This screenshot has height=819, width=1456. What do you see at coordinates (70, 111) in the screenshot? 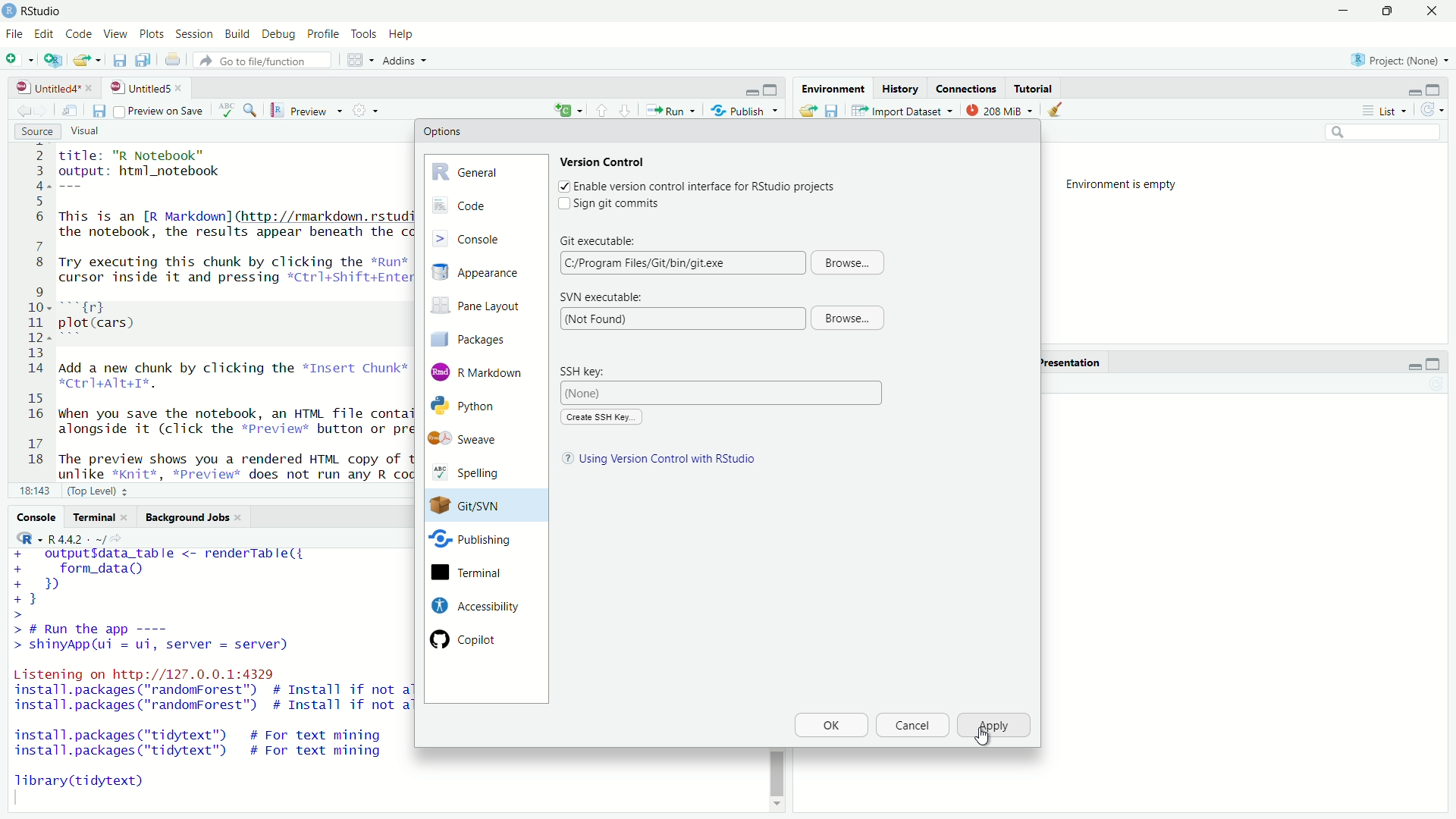
I see `show in new window` at bounding box center [70, 111].